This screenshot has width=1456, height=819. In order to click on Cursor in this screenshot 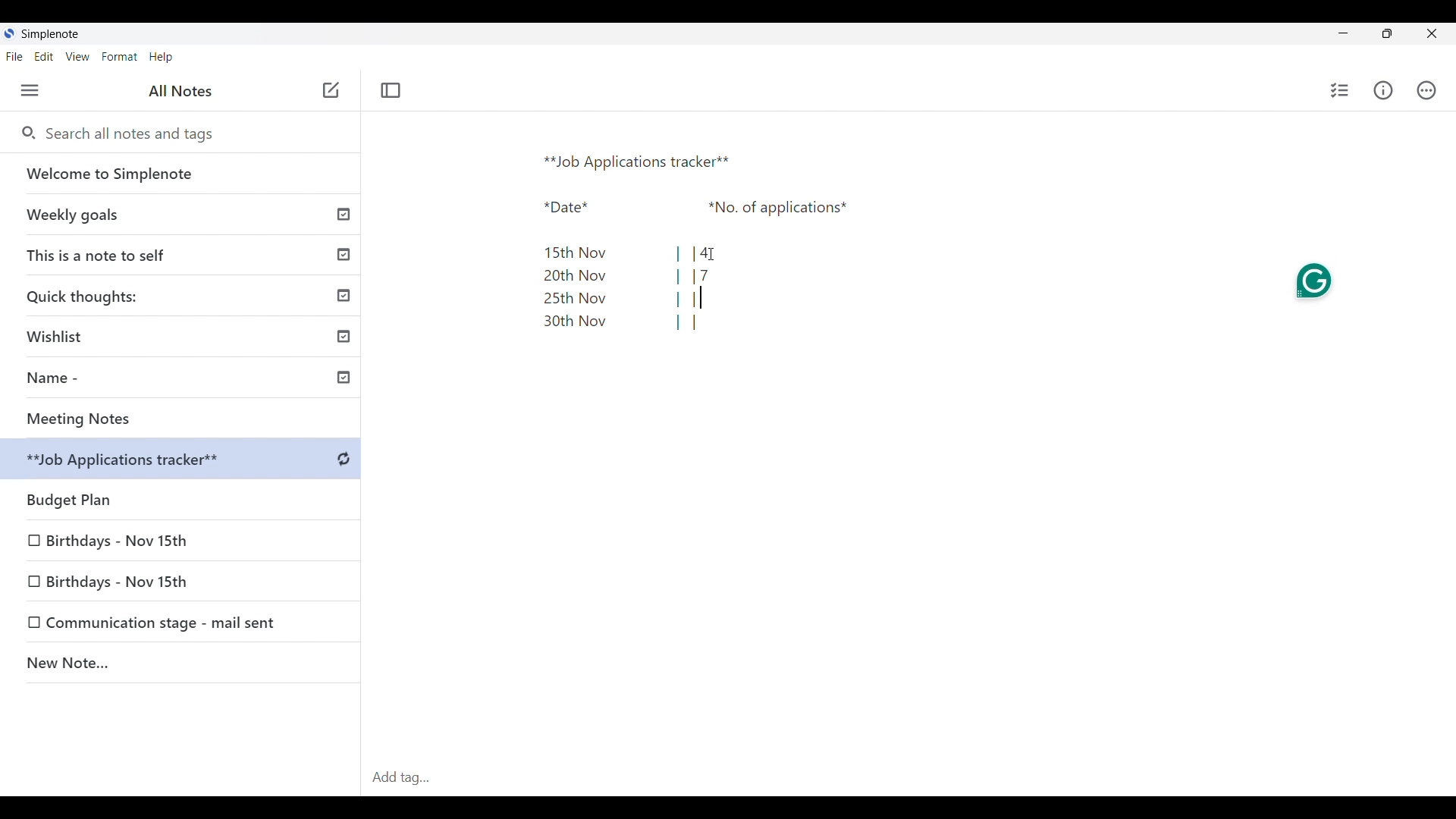, I will do `click(711, 256)`.